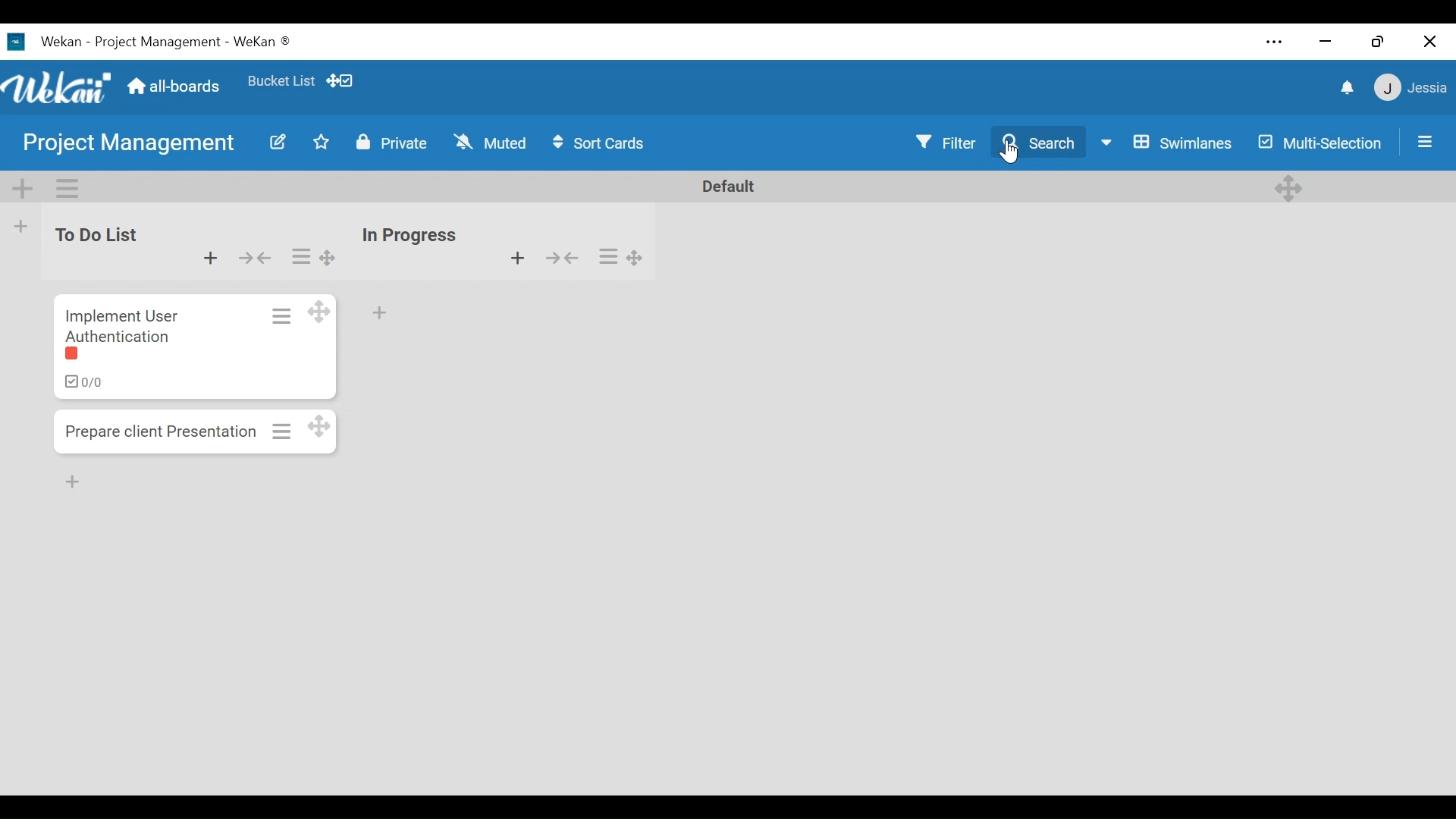 The height and width of the screenshot is (819, 1456). What do you see at coordinates (414, 232) in the screenshot?
I see `in progress` at bounding box center [414, 232].